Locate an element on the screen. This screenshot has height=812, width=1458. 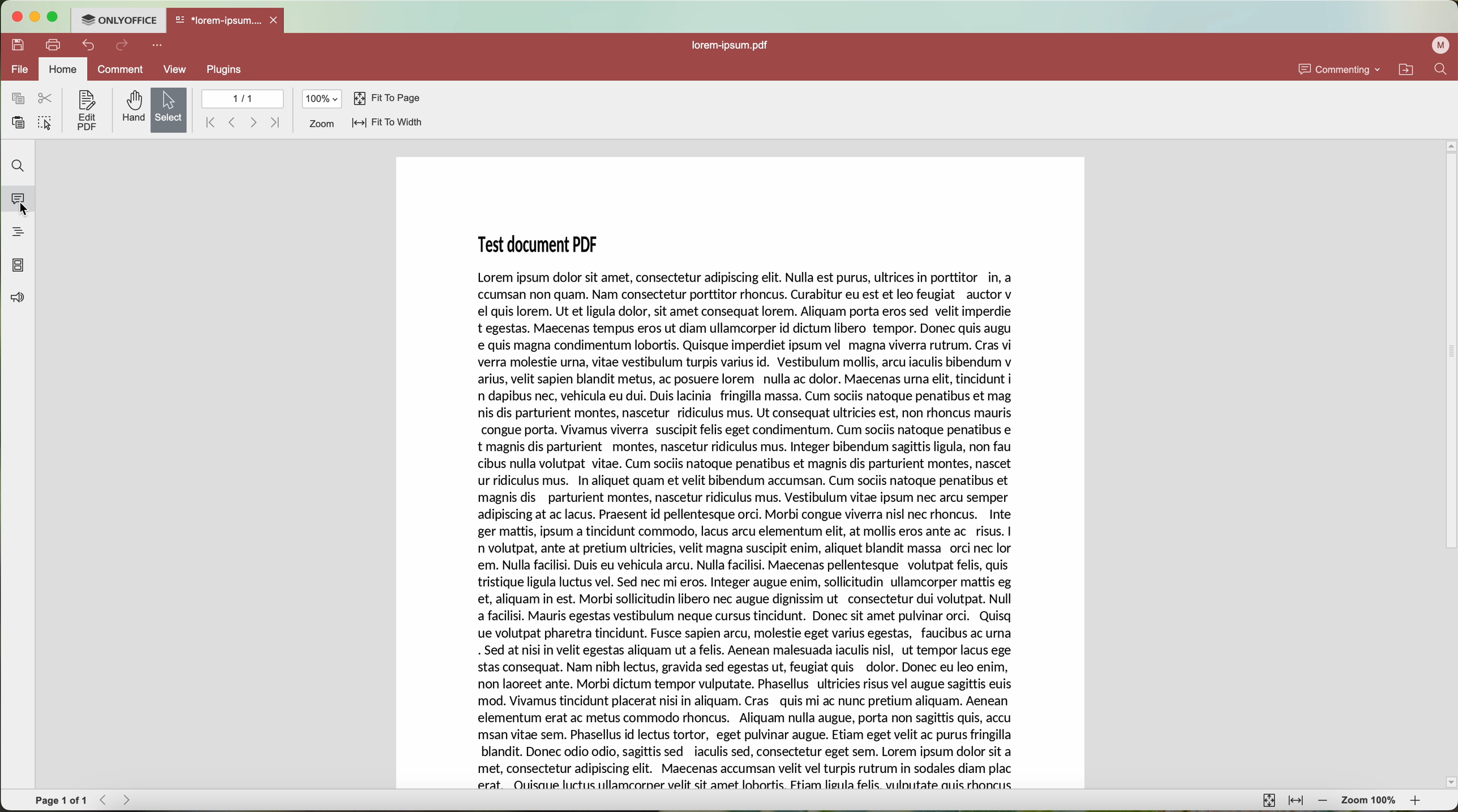
open file is located at coordinates (227, 21).